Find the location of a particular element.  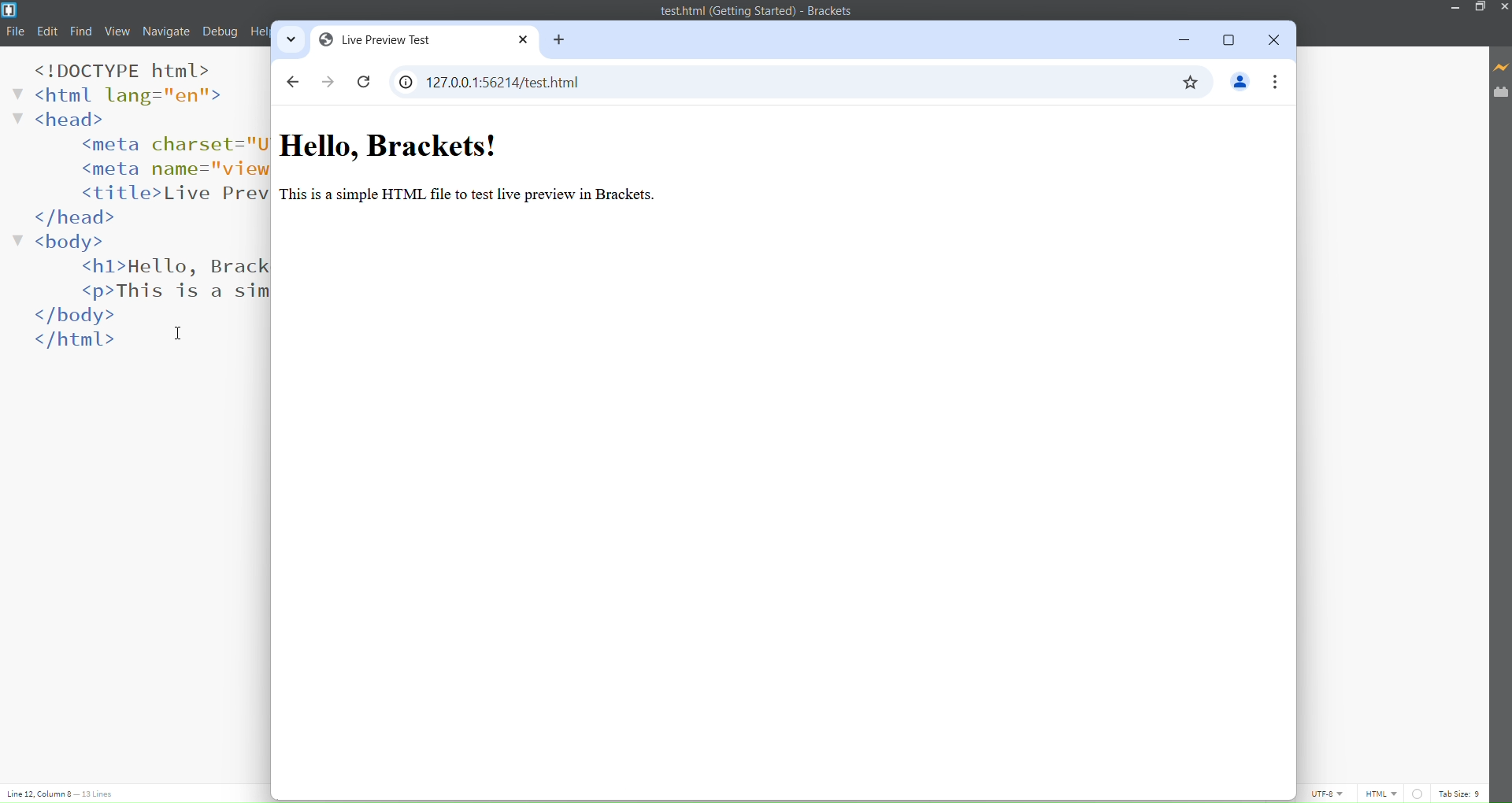

Tab Size is located at coordinates (1460, 794).